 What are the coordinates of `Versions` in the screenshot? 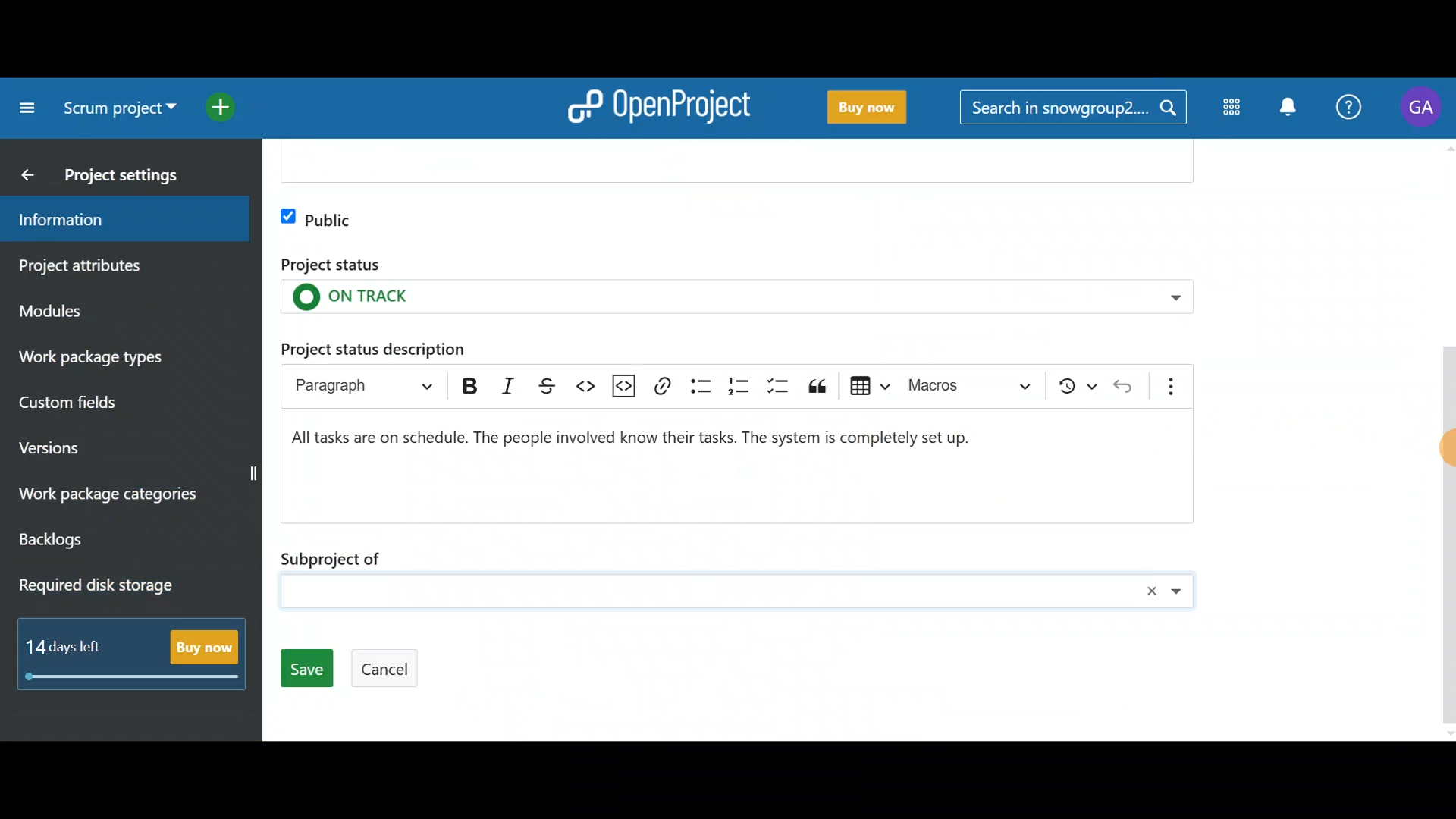 It's located at (80, 444).